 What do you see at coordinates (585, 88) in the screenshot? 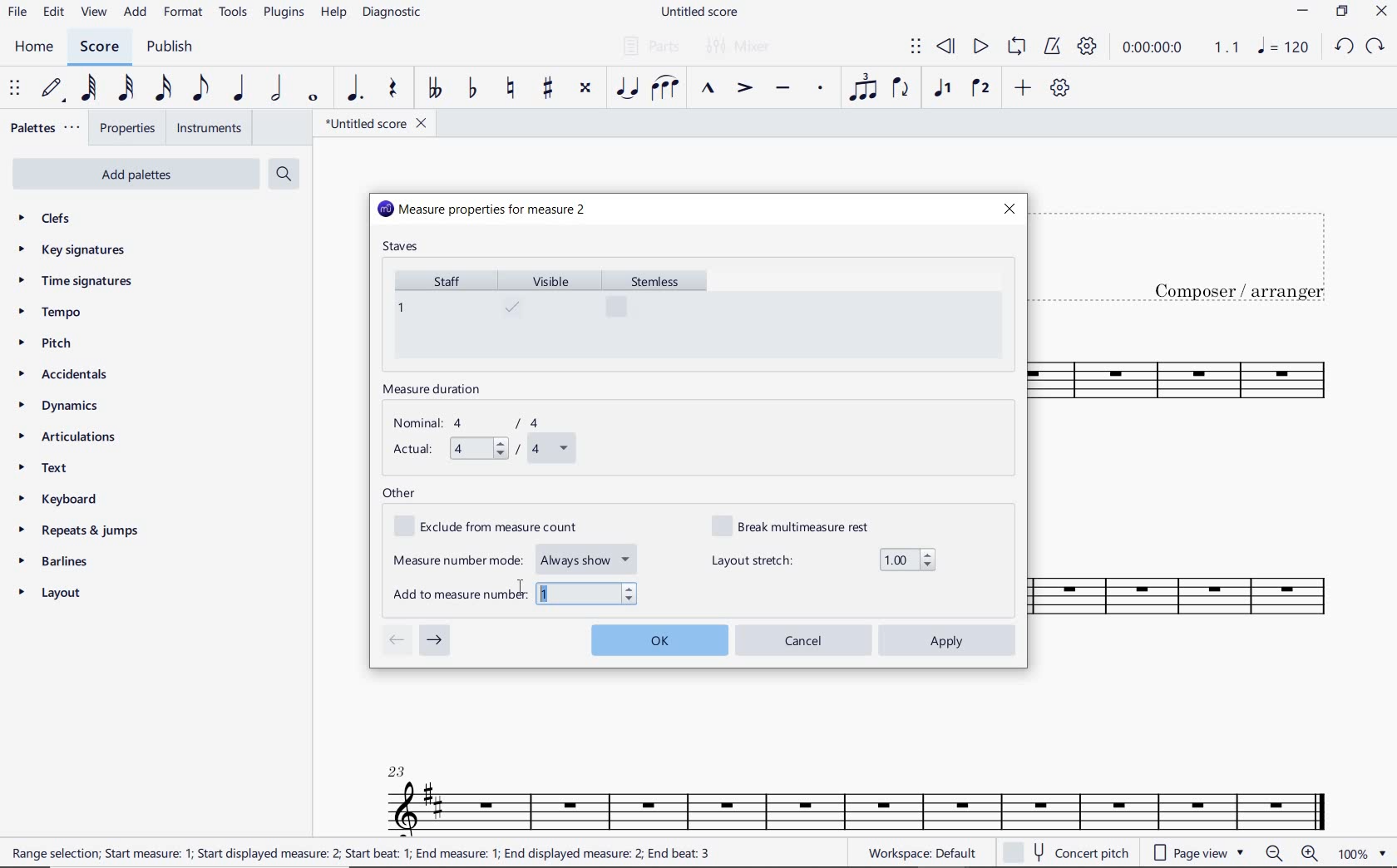
I see `TOGGLE DOUBLE-SHARP` at bounding box center [585, 88].